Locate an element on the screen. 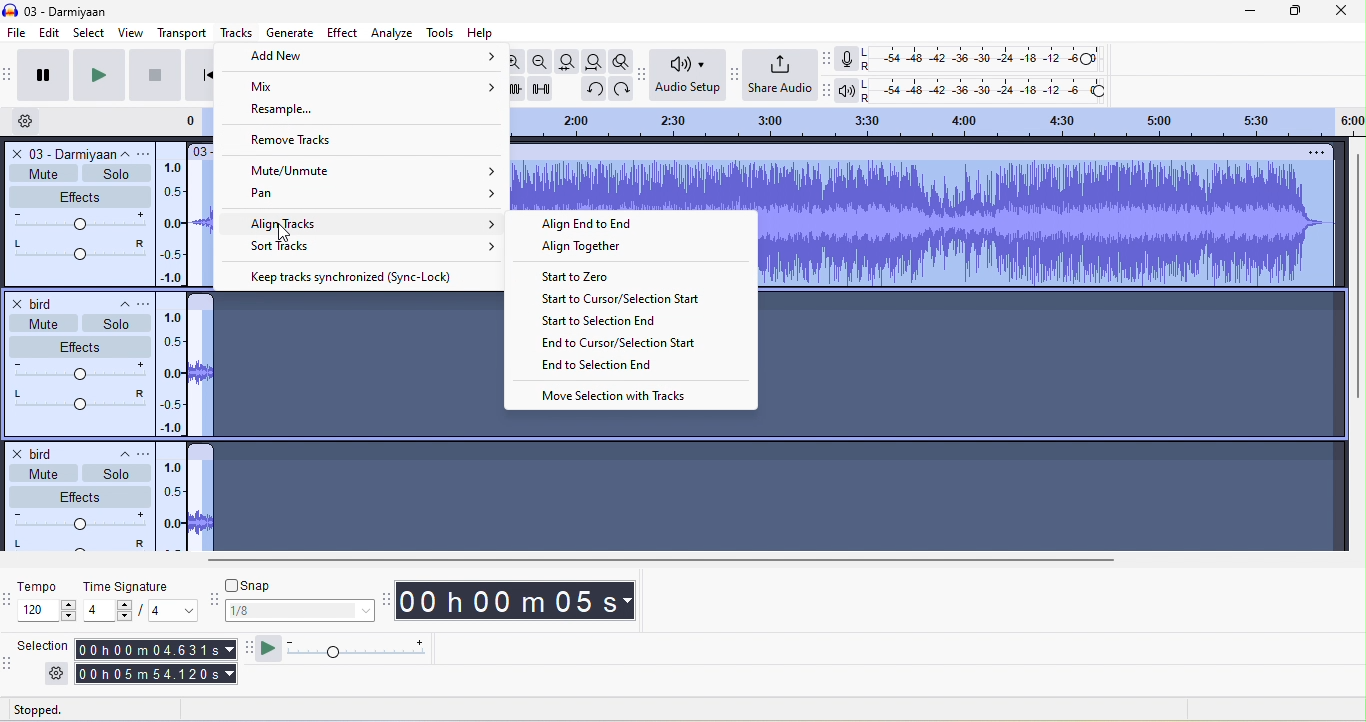 This screenshot has height=722, width=1366. horizontal scroll bar is located at coordinates (656, 559).